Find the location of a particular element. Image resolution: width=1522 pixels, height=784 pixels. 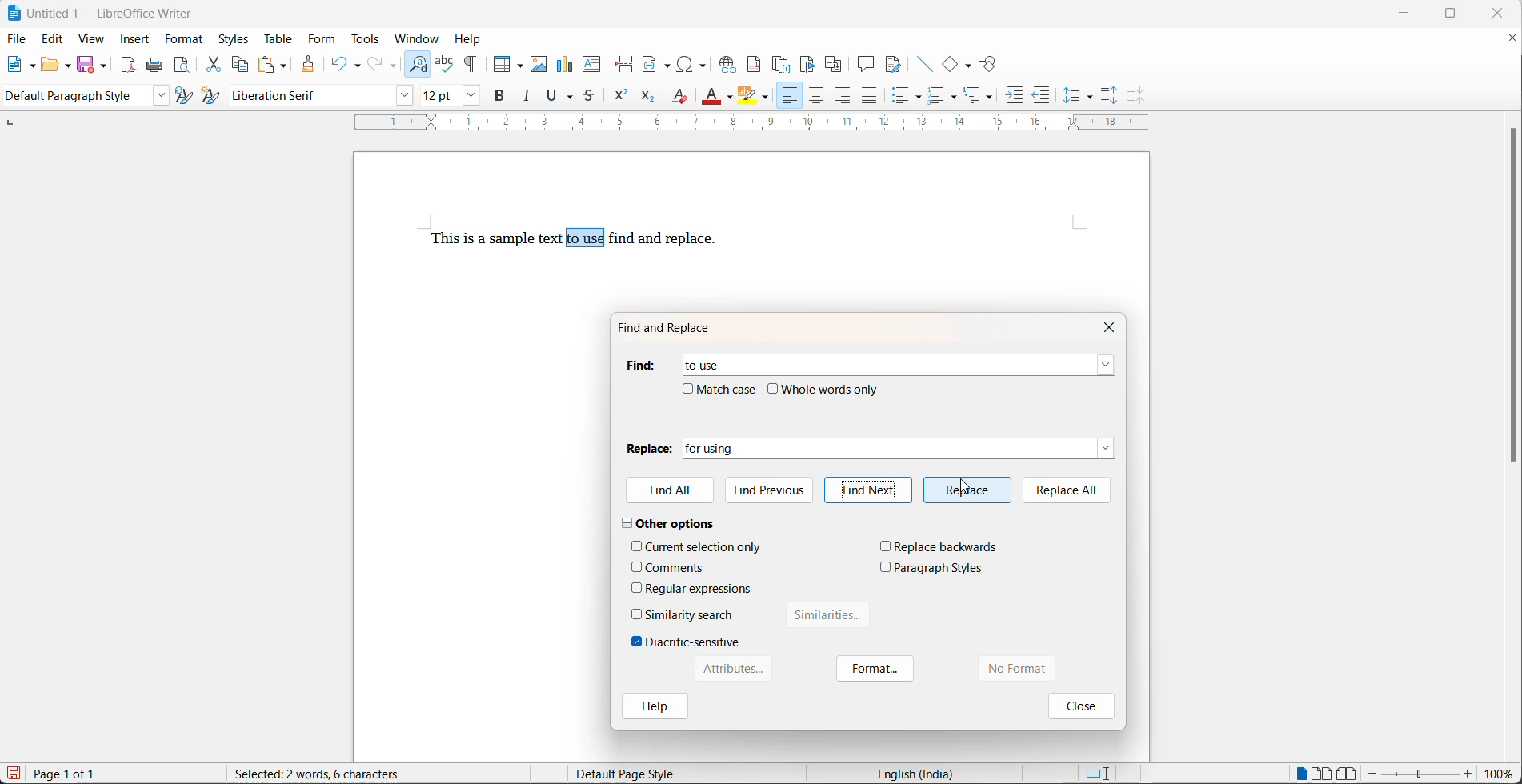

close is located at coordinates (1503, 13).